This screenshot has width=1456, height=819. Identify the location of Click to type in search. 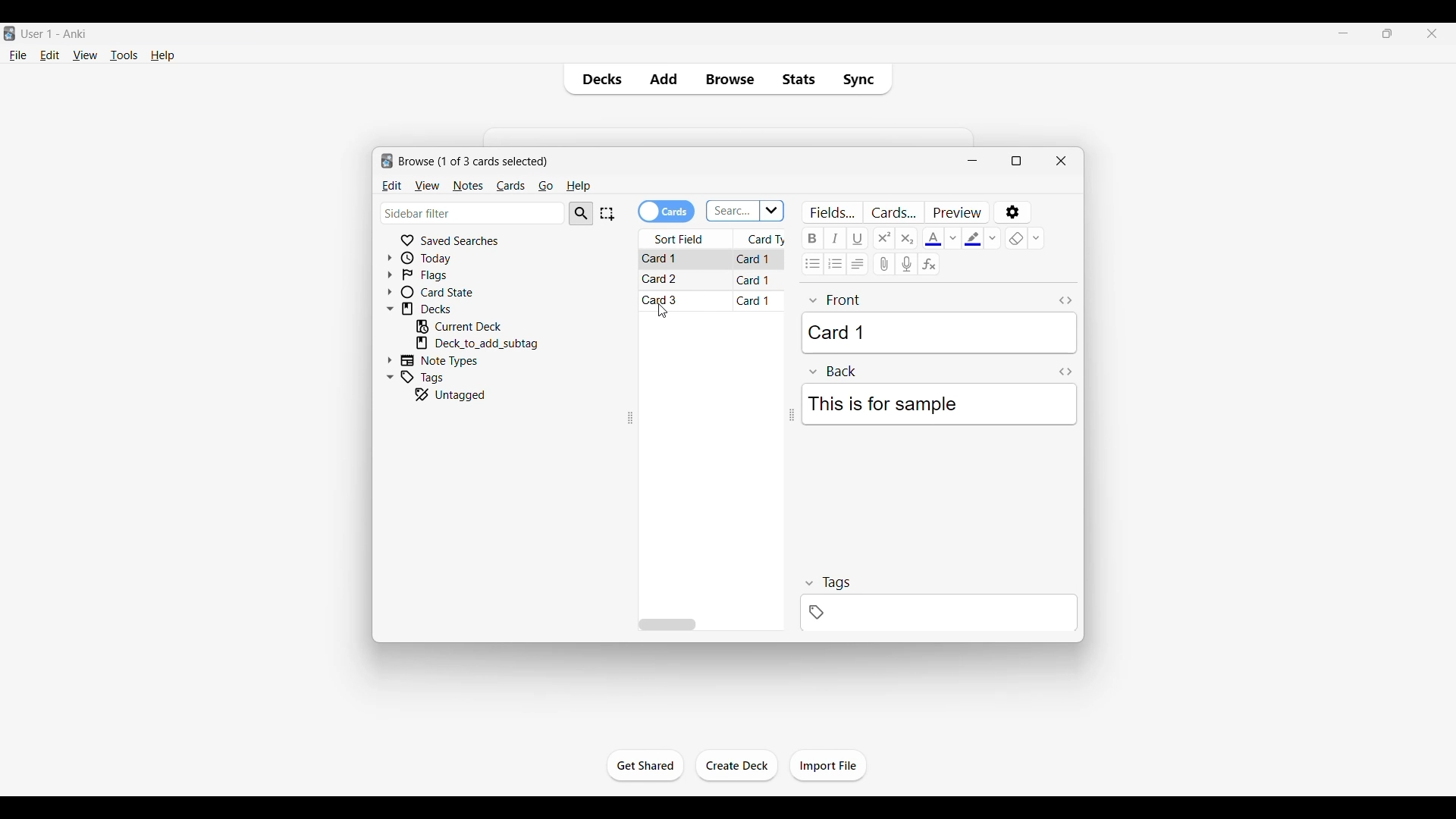
(733, 212).